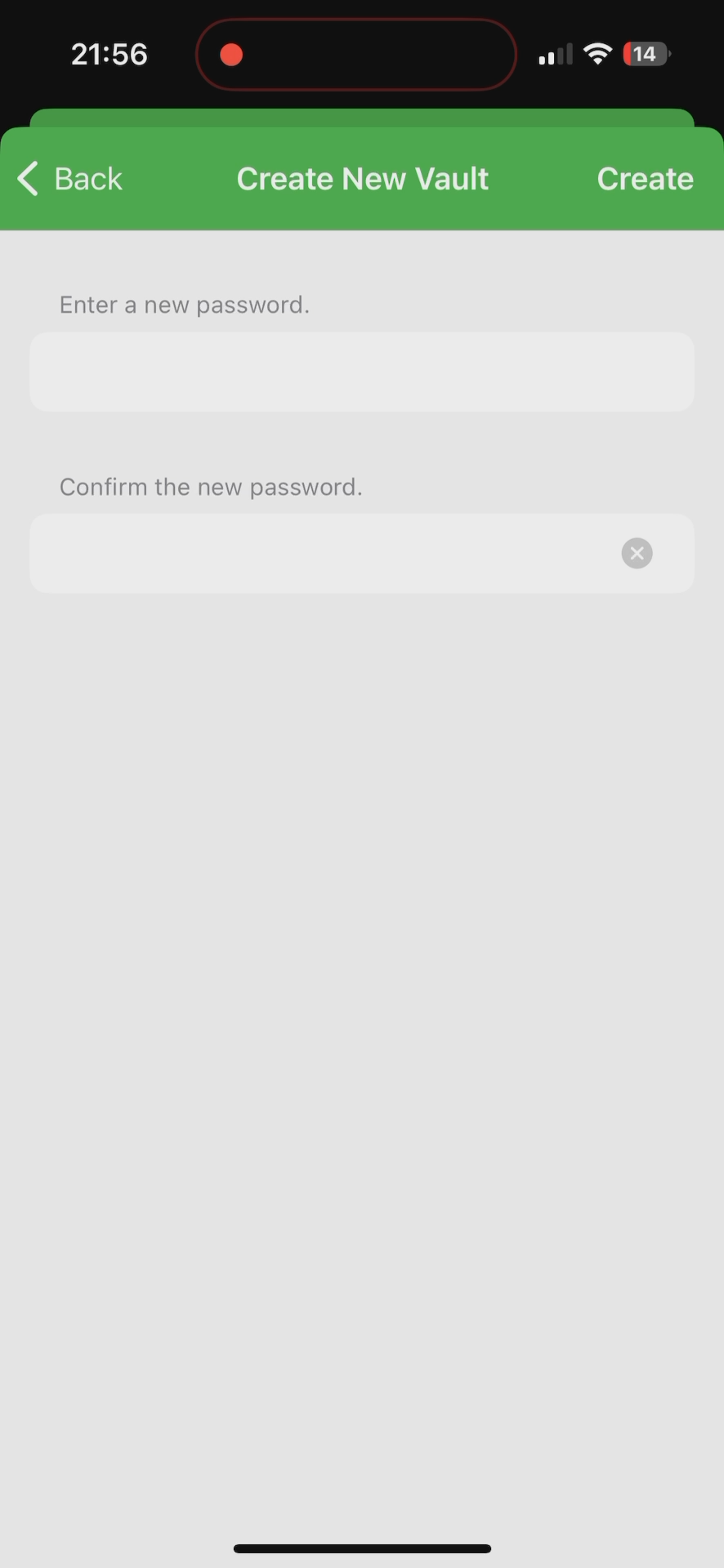 Image resolution: width=724 pixels, height=1568 pixels. I want to click on recording the screen, so click(231, 51).